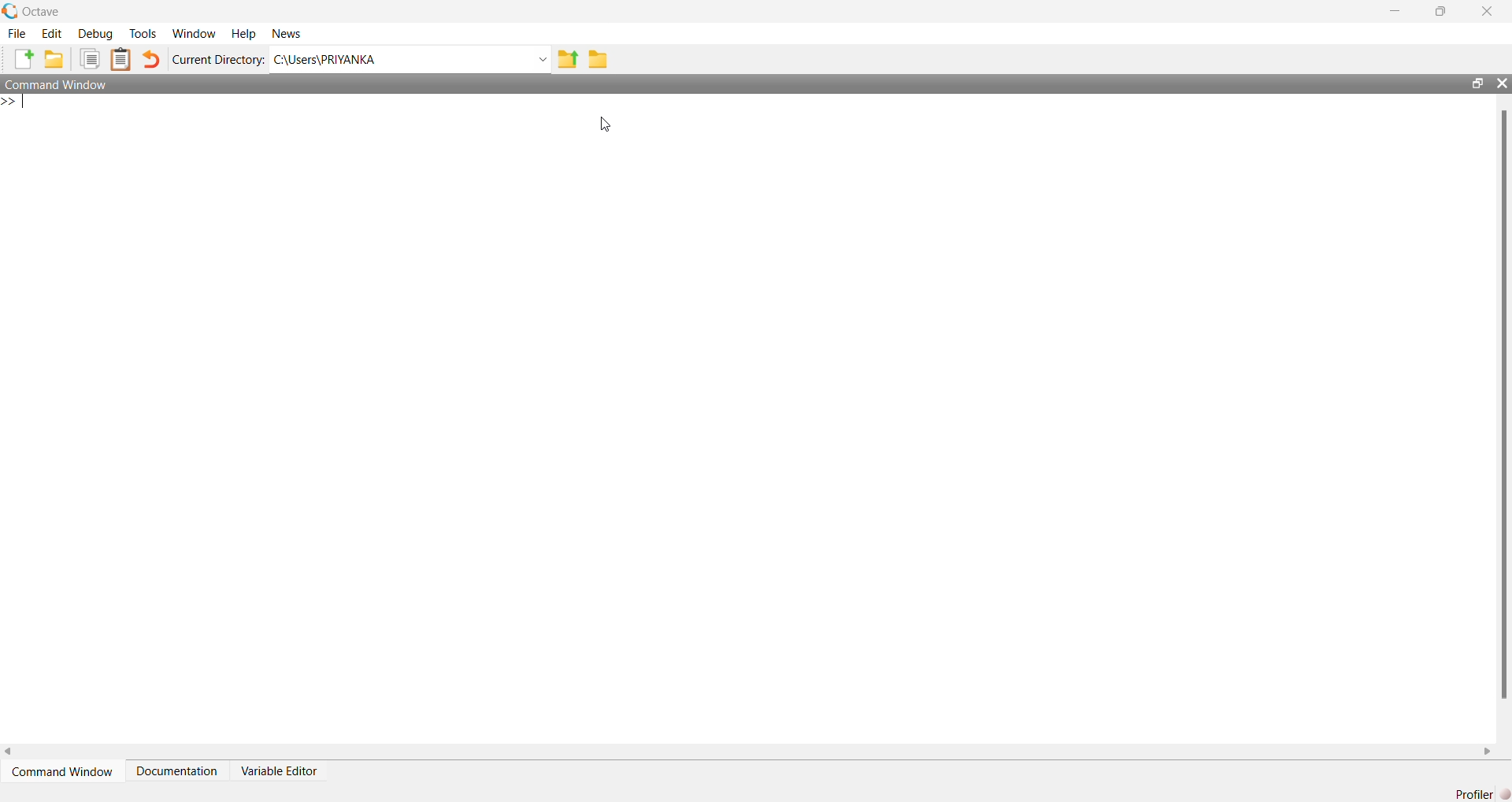 This screenshot has height=802, width=1512. What do you see at coordinates (51, 34) in the screenshot?
I see `Edit` at bounding box center [51, 34].